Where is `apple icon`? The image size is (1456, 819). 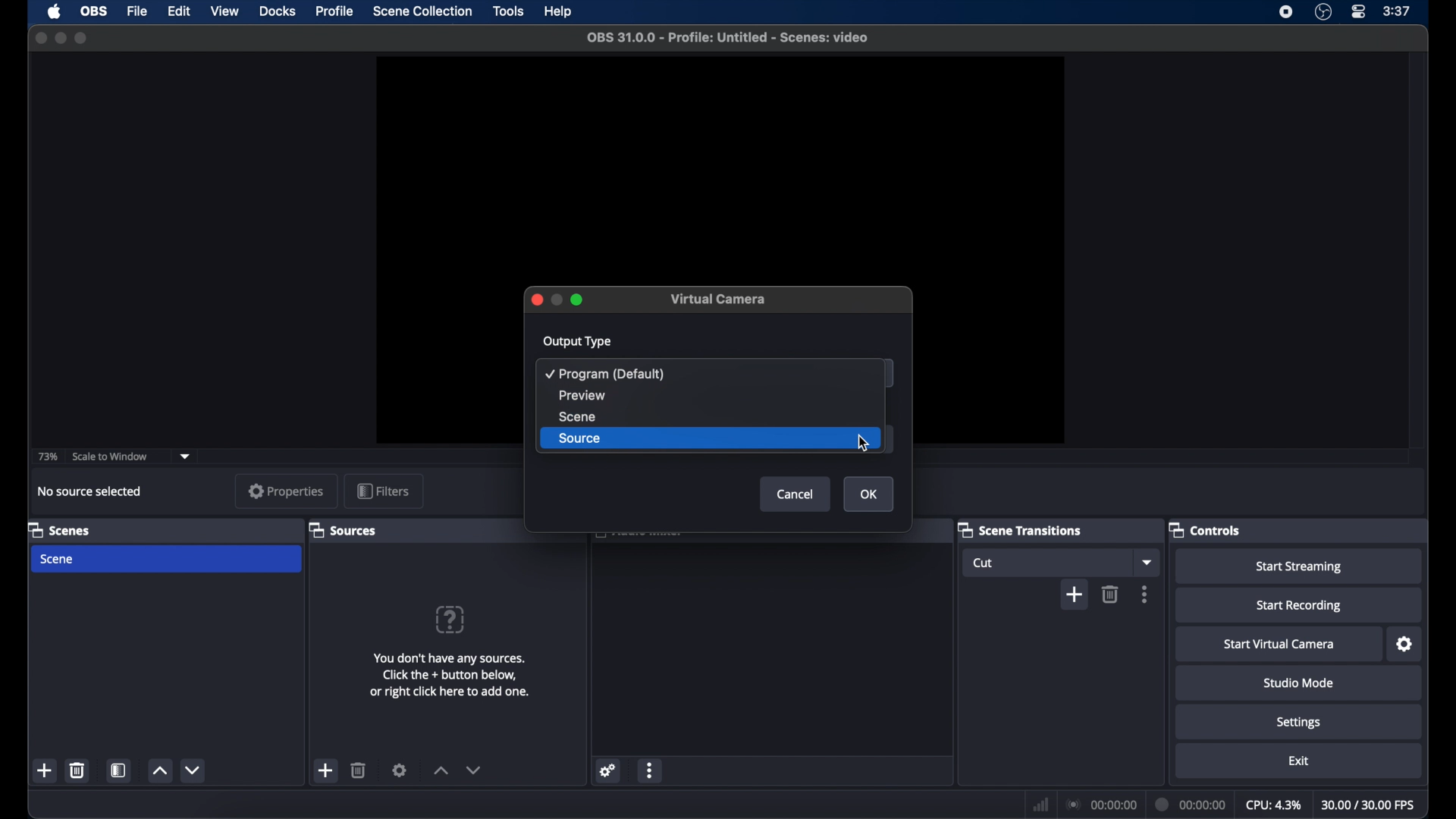
apple icon is located at coordinates (55, 12).